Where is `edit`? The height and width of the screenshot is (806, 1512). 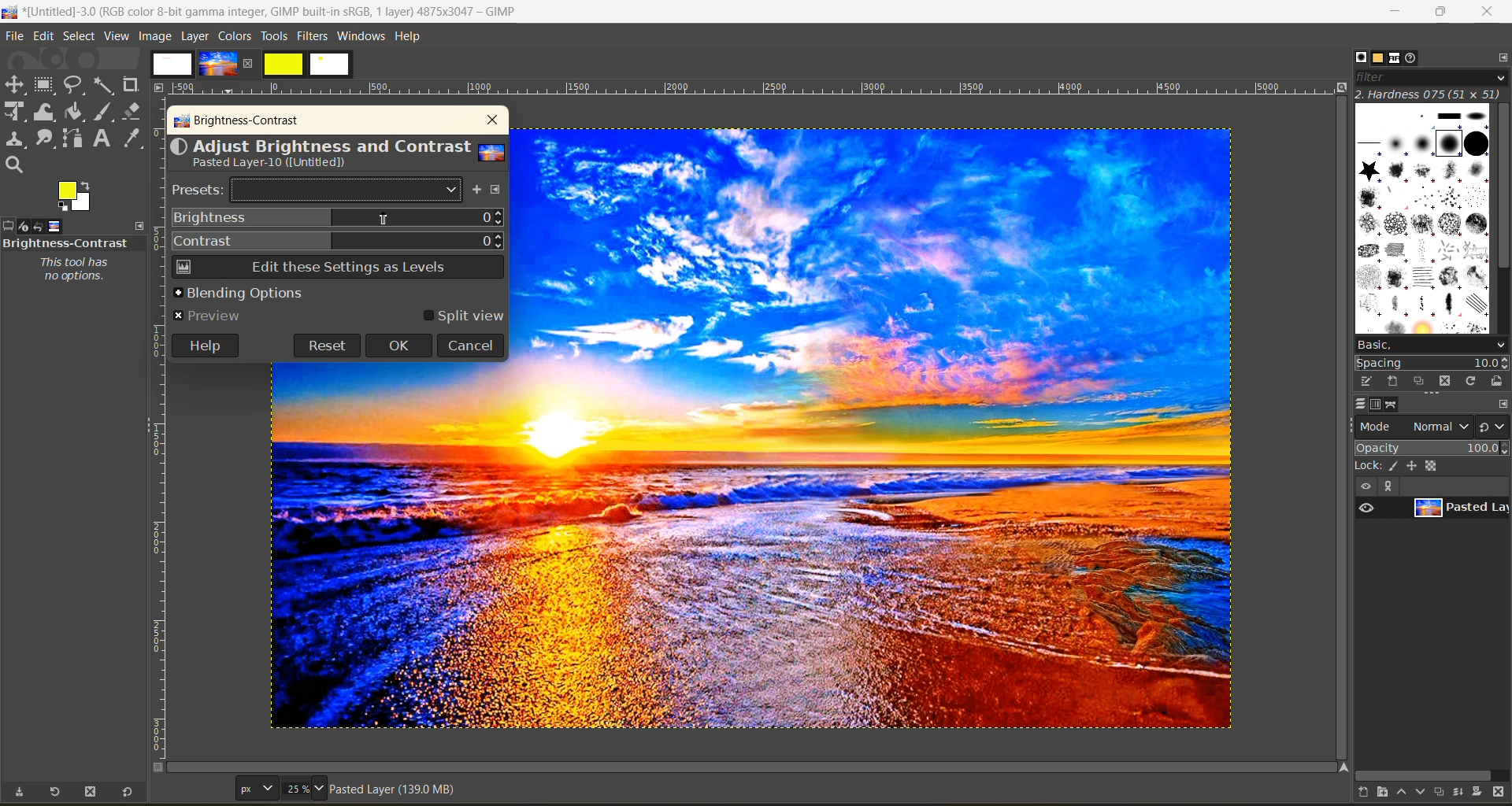 edit is located at coordinates (1368, 381).